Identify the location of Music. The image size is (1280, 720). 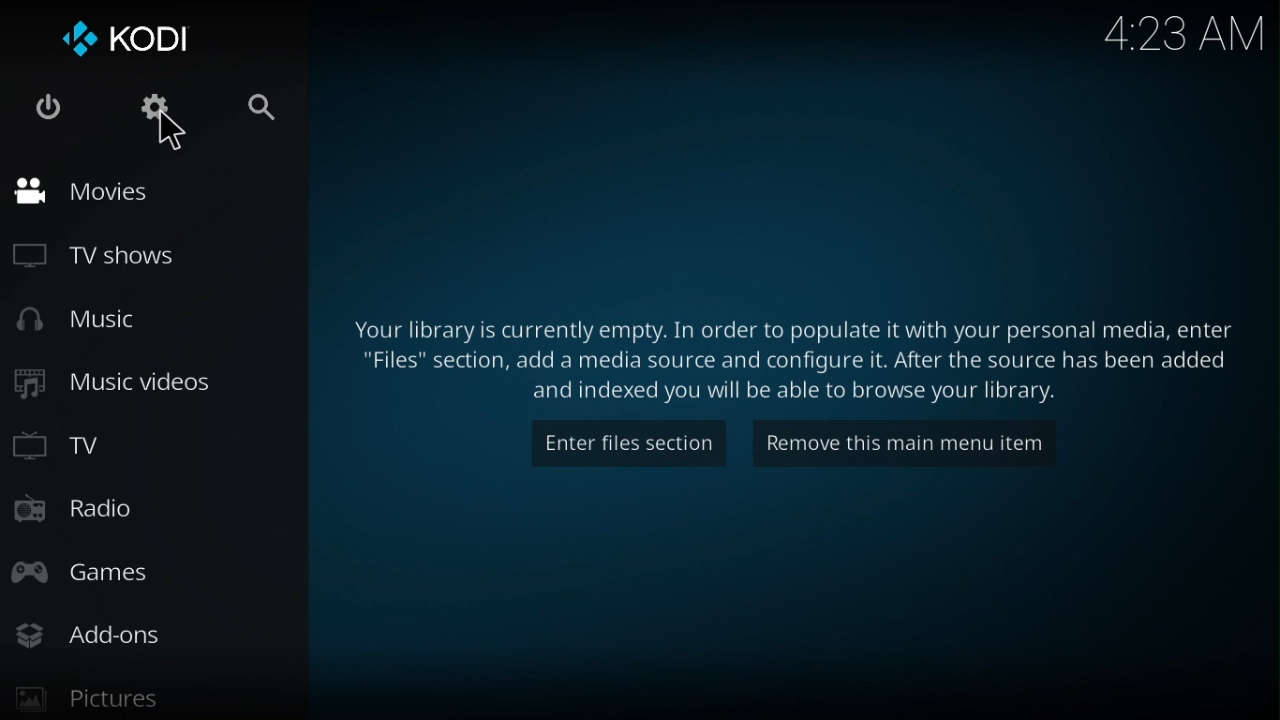
(92, 320).